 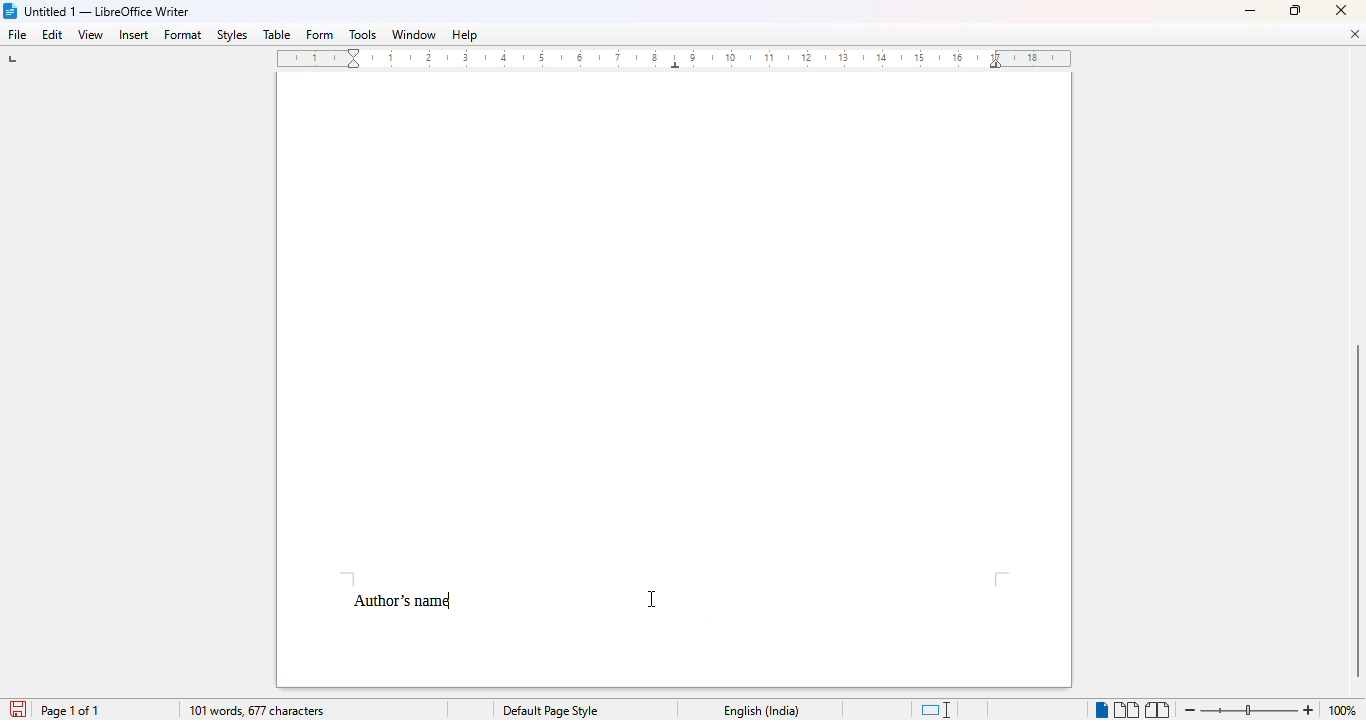 I want to click on view, so click(x=90, y=35).